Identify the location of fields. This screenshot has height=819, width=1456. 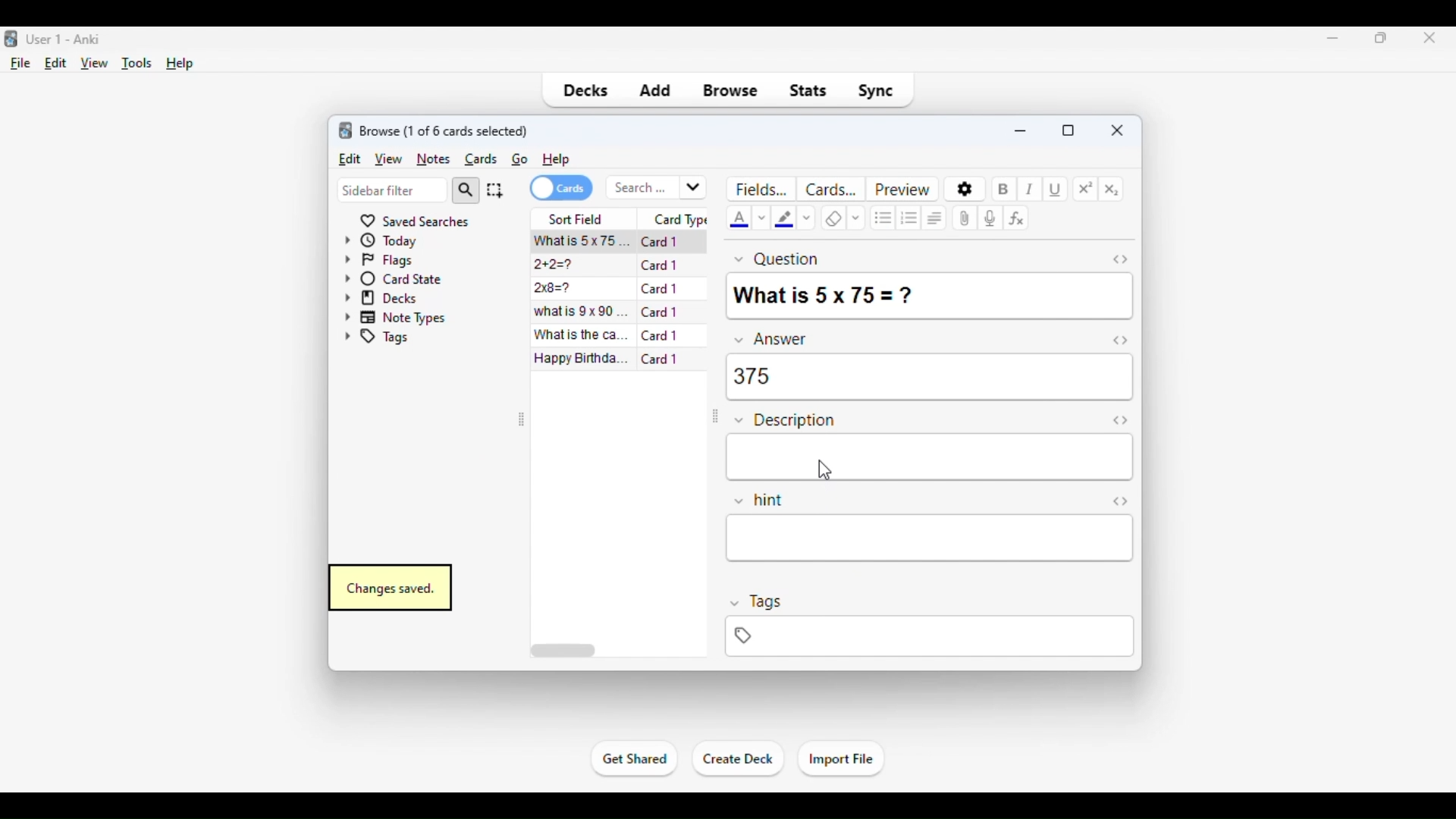
(764, 188).